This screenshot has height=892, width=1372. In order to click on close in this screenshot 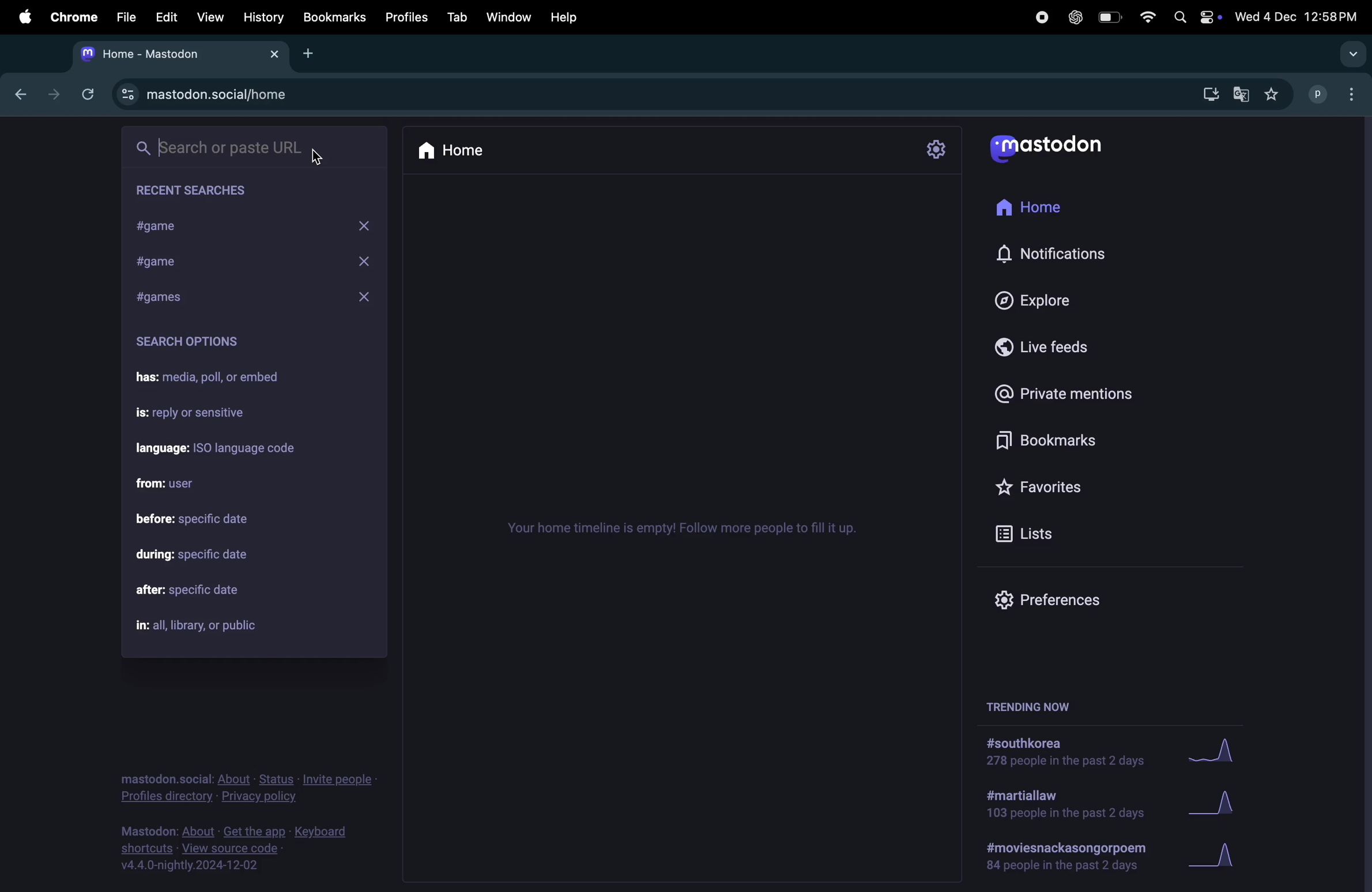, I will do `click(365, 299)`.